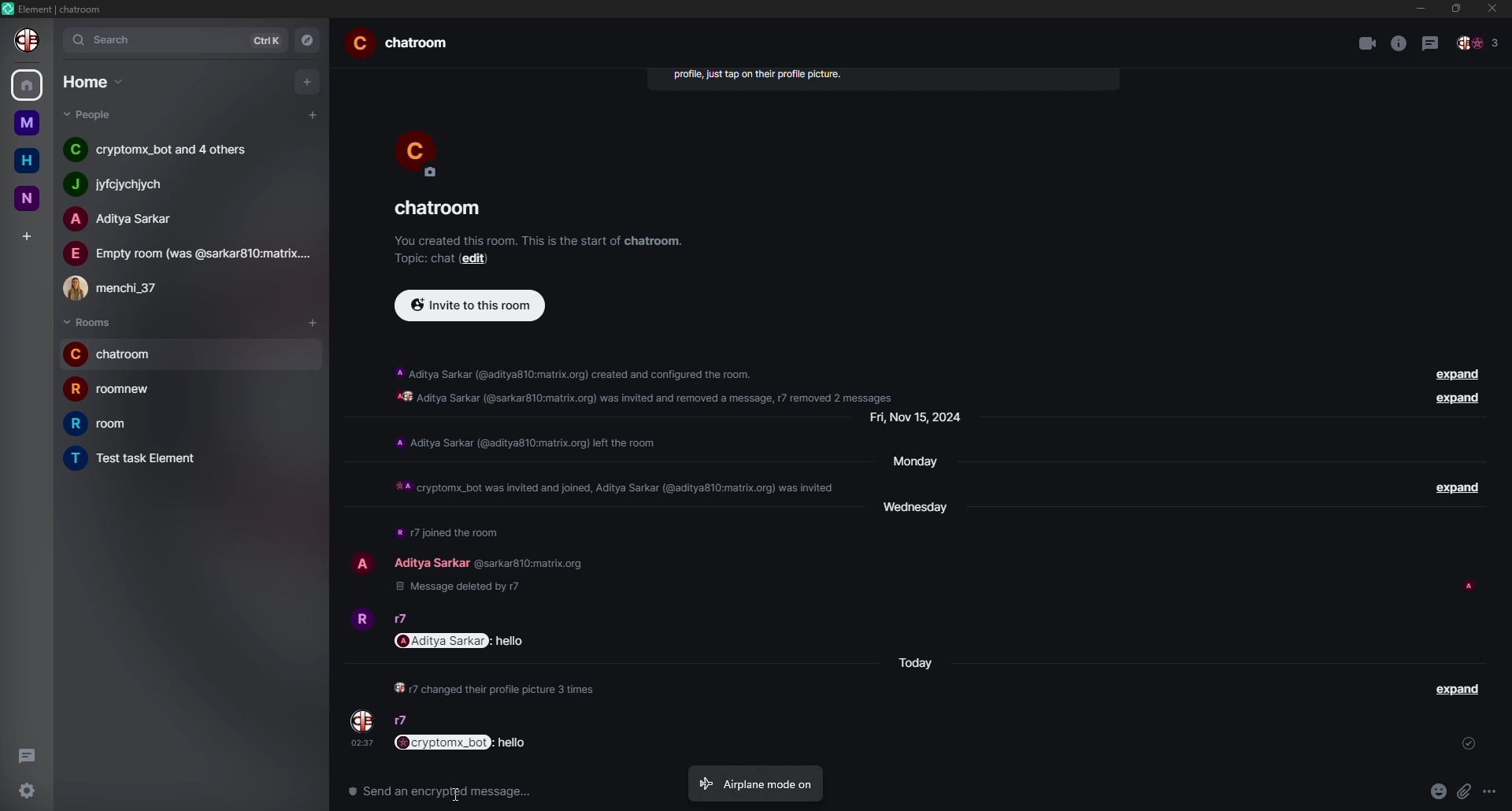 The height and width of the screenshot is (811, 1512). Describe the element at coordinates (139, 458) in the screenshot. I see `room` at that location.